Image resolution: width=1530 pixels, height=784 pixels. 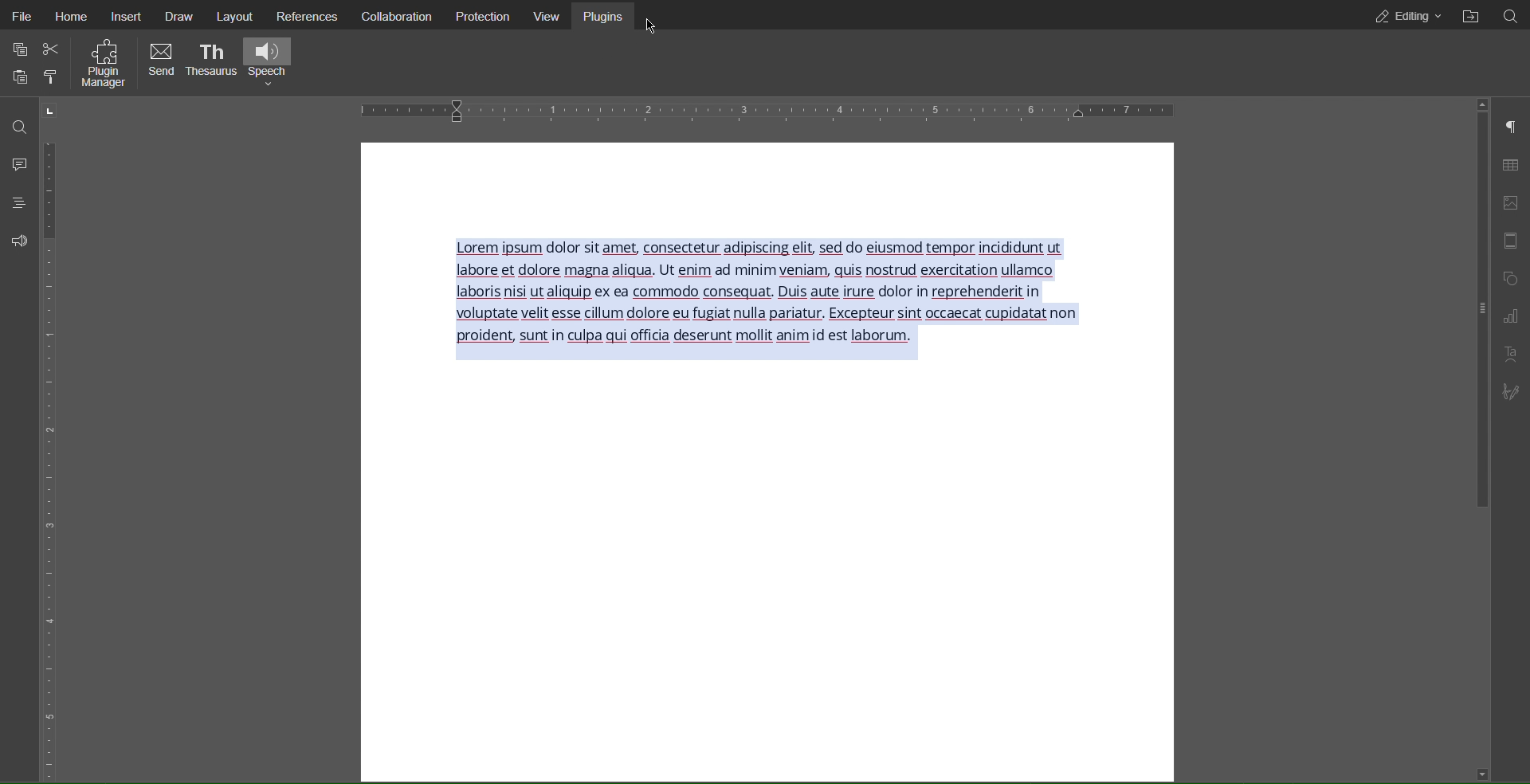 I want to click on Insert, so click(x=129, y=18).